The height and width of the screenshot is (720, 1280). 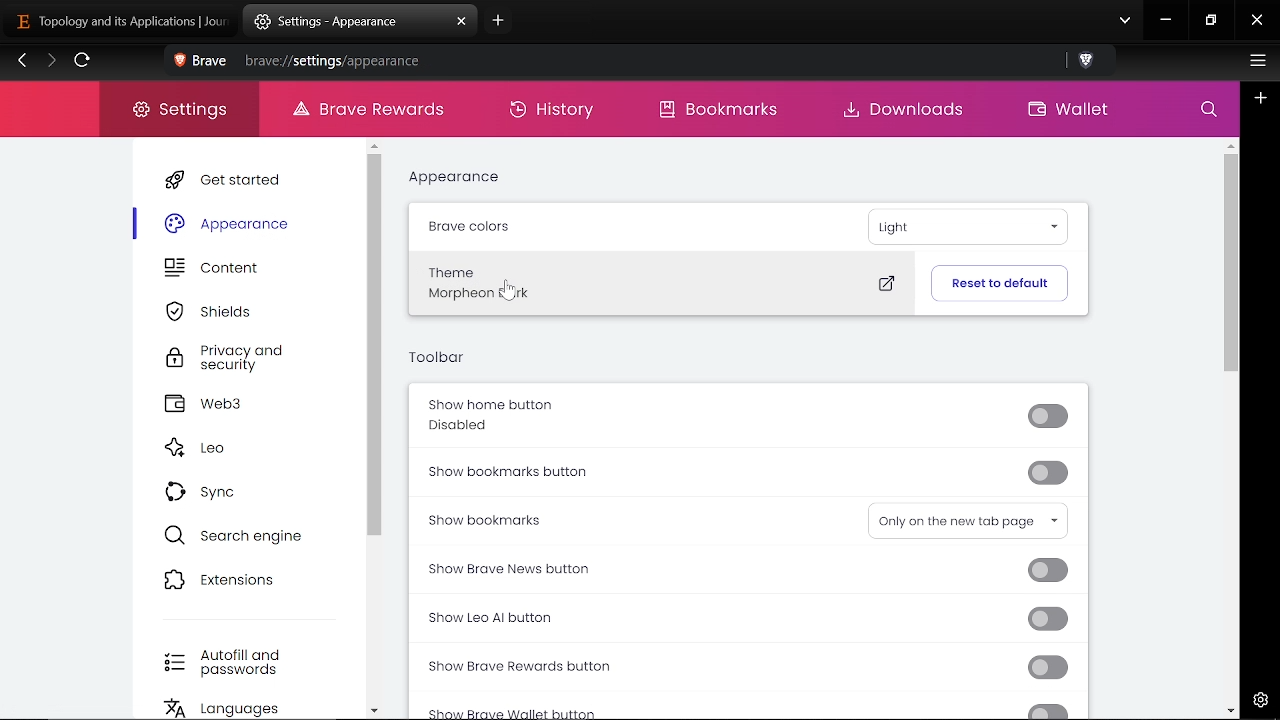 What do you see at coordinates (223, 311) in the screenshot?
I see `Shields` at bounding box center [223, 311].